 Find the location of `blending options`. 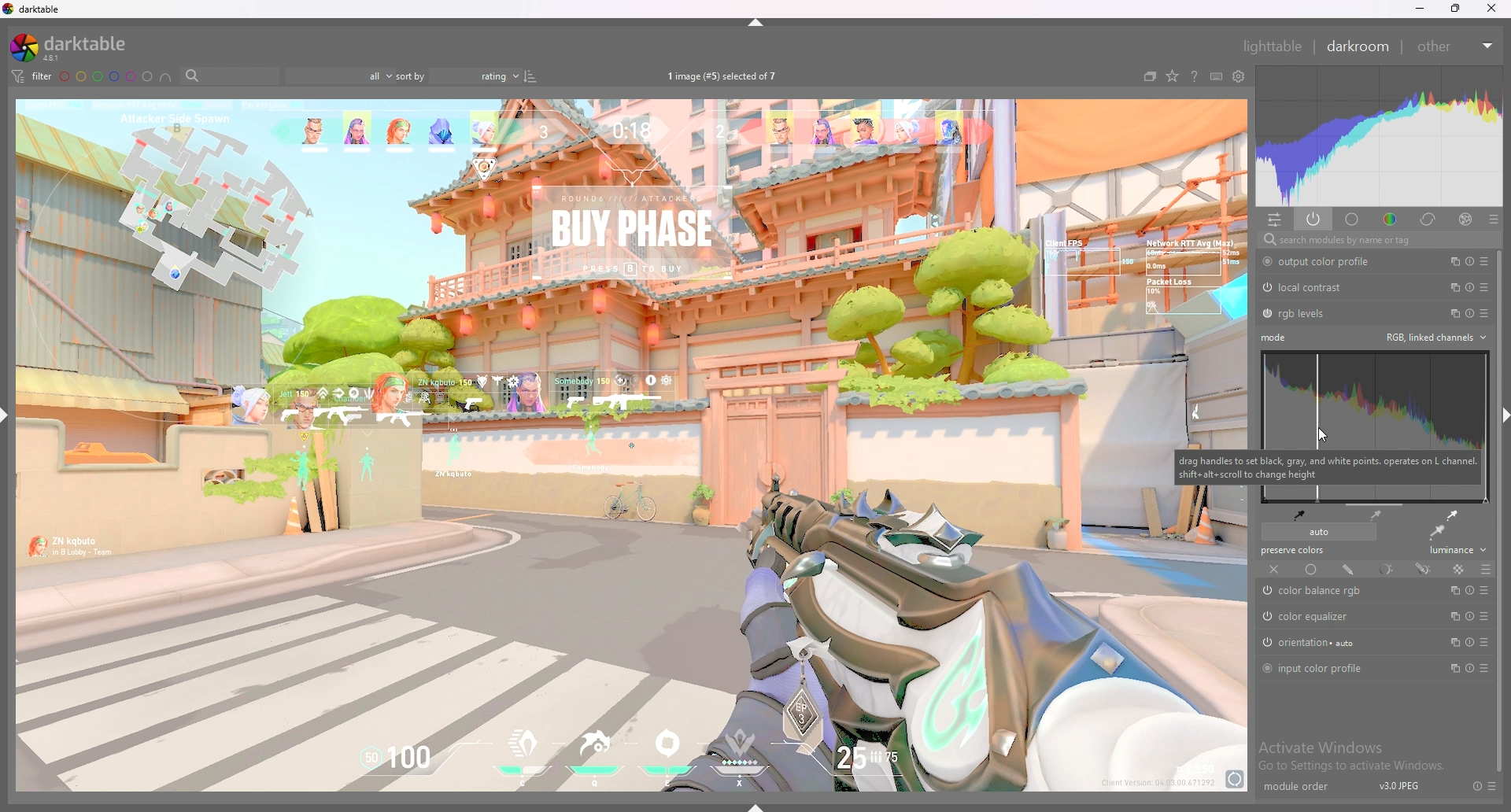

blending options is located at coordinates (1487, 569).